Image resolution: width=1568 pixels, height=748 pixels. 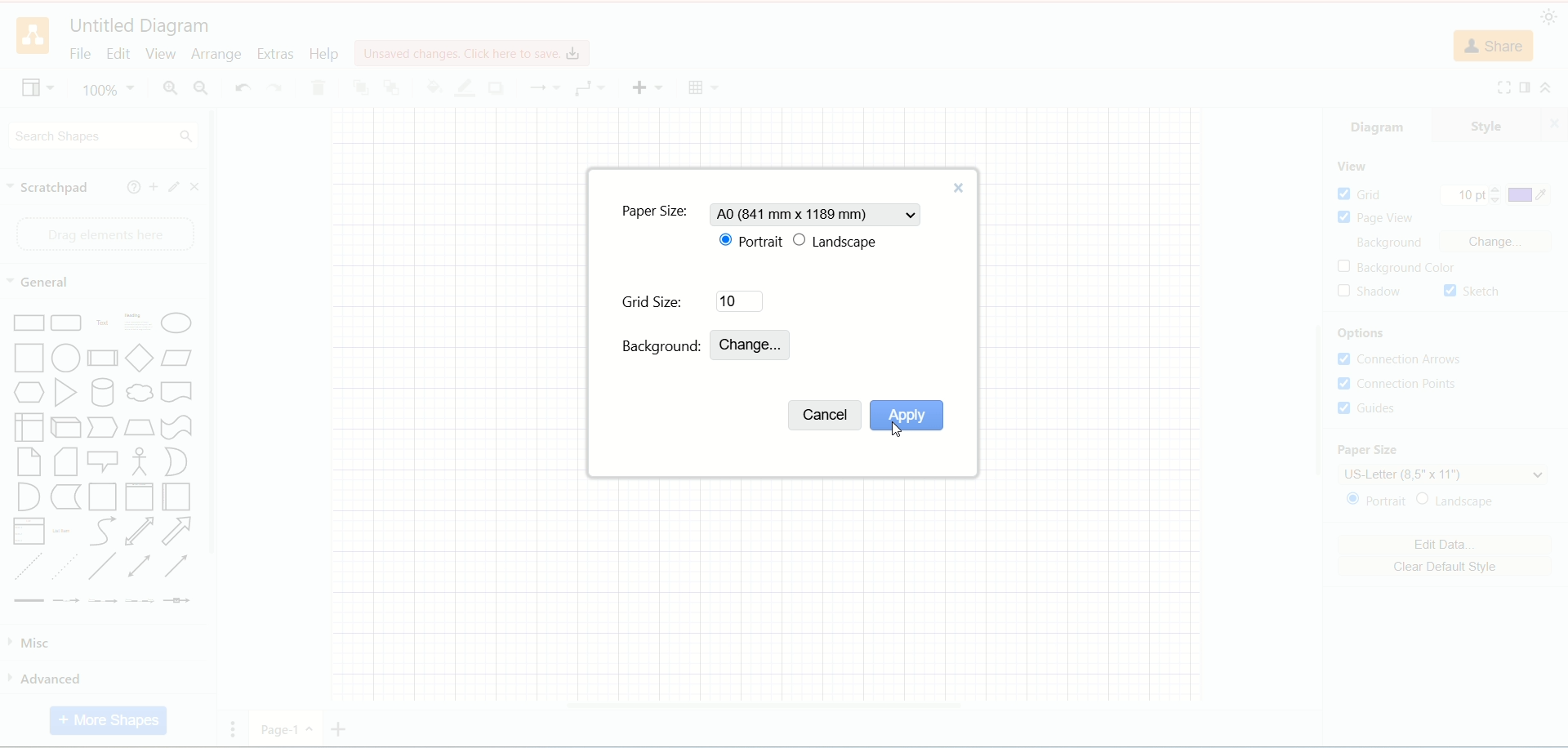 What do you see at coordinates (30, 324) in the screenshot?
I see `rectangle` at bounding box center [30, 324].